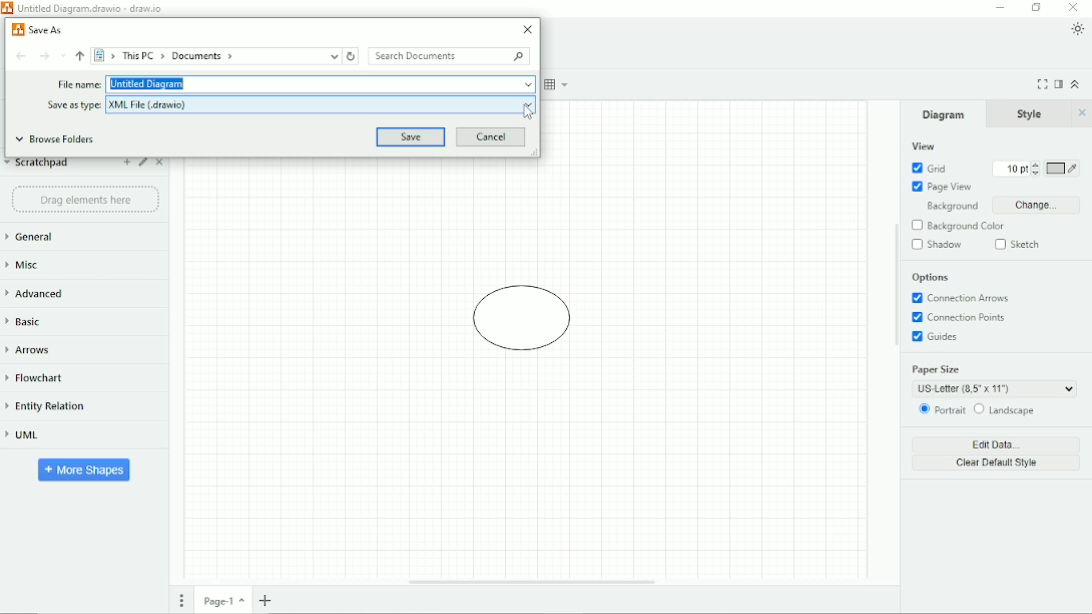  What do you see at coordinates (448, 56) in the screenshot?
I see `Search Documents` at bounding box center [448, 56].